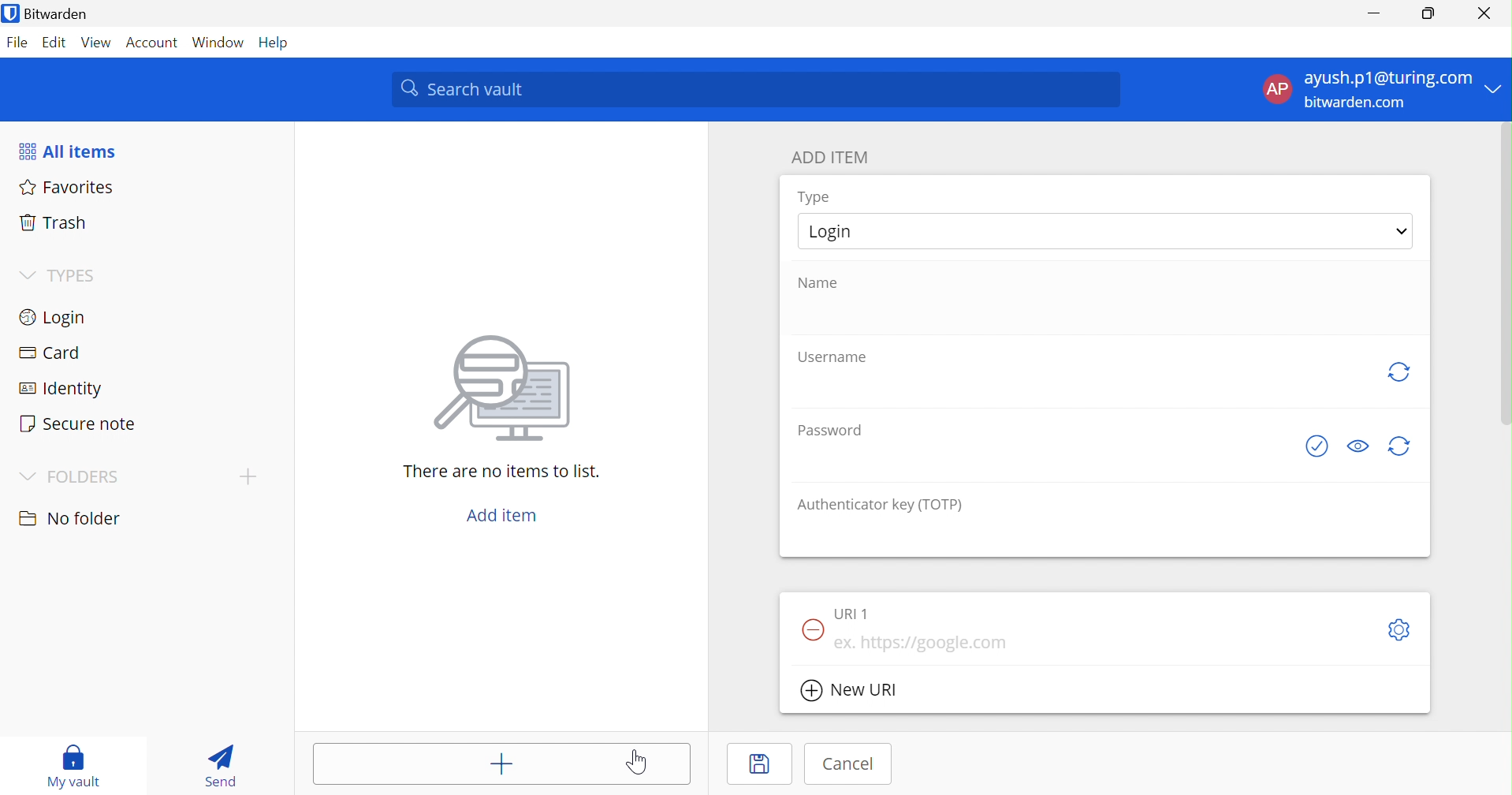 This screenshot has height=795, width=1512. What do you see at coordinates (501, 765) in the screenshot?
I see `Add item` at bounding box center [501, 765].